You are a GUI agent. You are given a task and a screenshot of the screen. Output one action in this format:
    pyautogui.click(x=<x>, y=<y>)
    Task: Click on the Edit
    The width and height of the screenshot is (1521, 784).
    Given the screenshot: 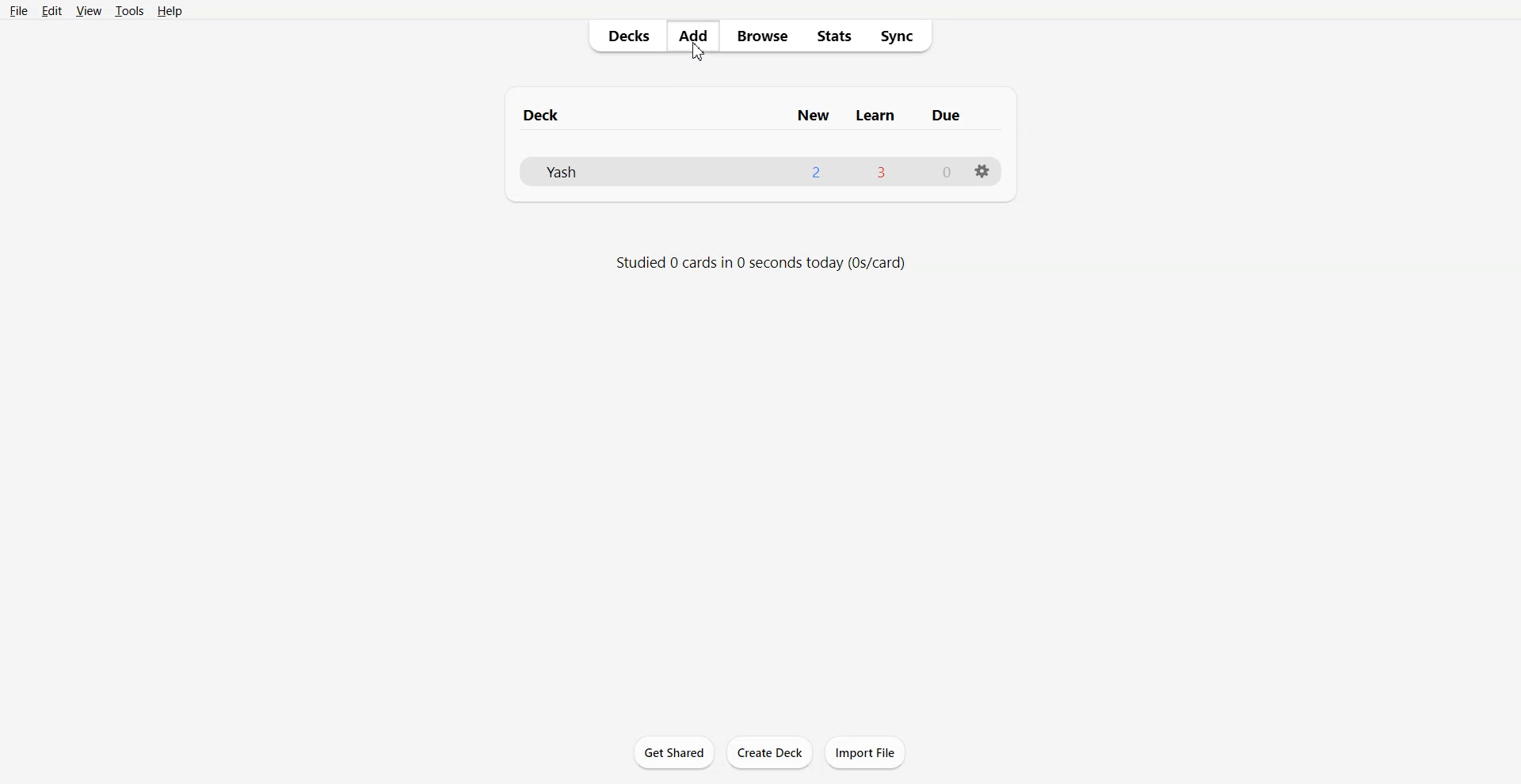 What is the action you would take?
    pyautogui.click(x=51, y=10)
    